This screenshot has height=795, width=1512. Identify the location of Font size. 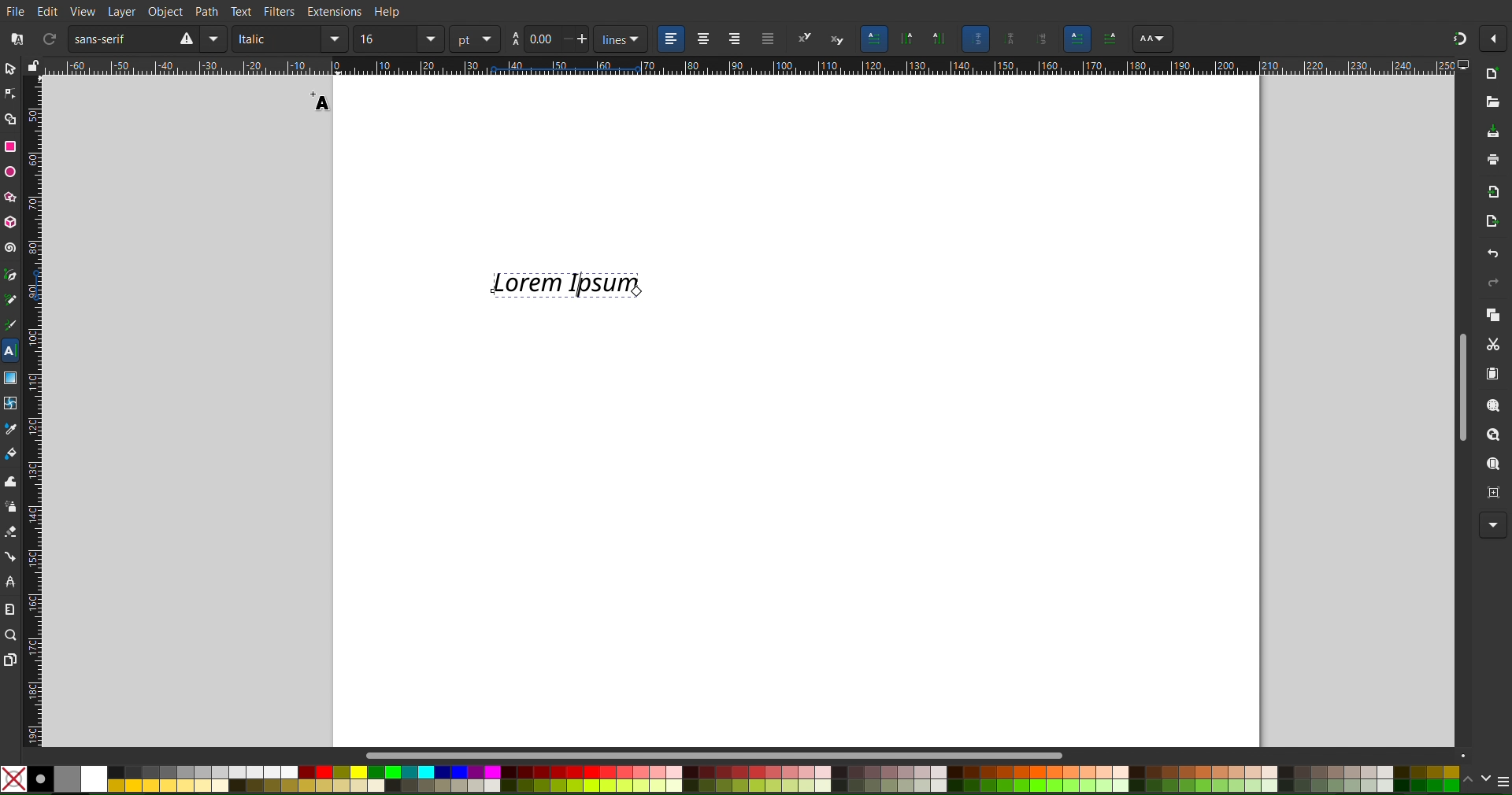
(398, 39).